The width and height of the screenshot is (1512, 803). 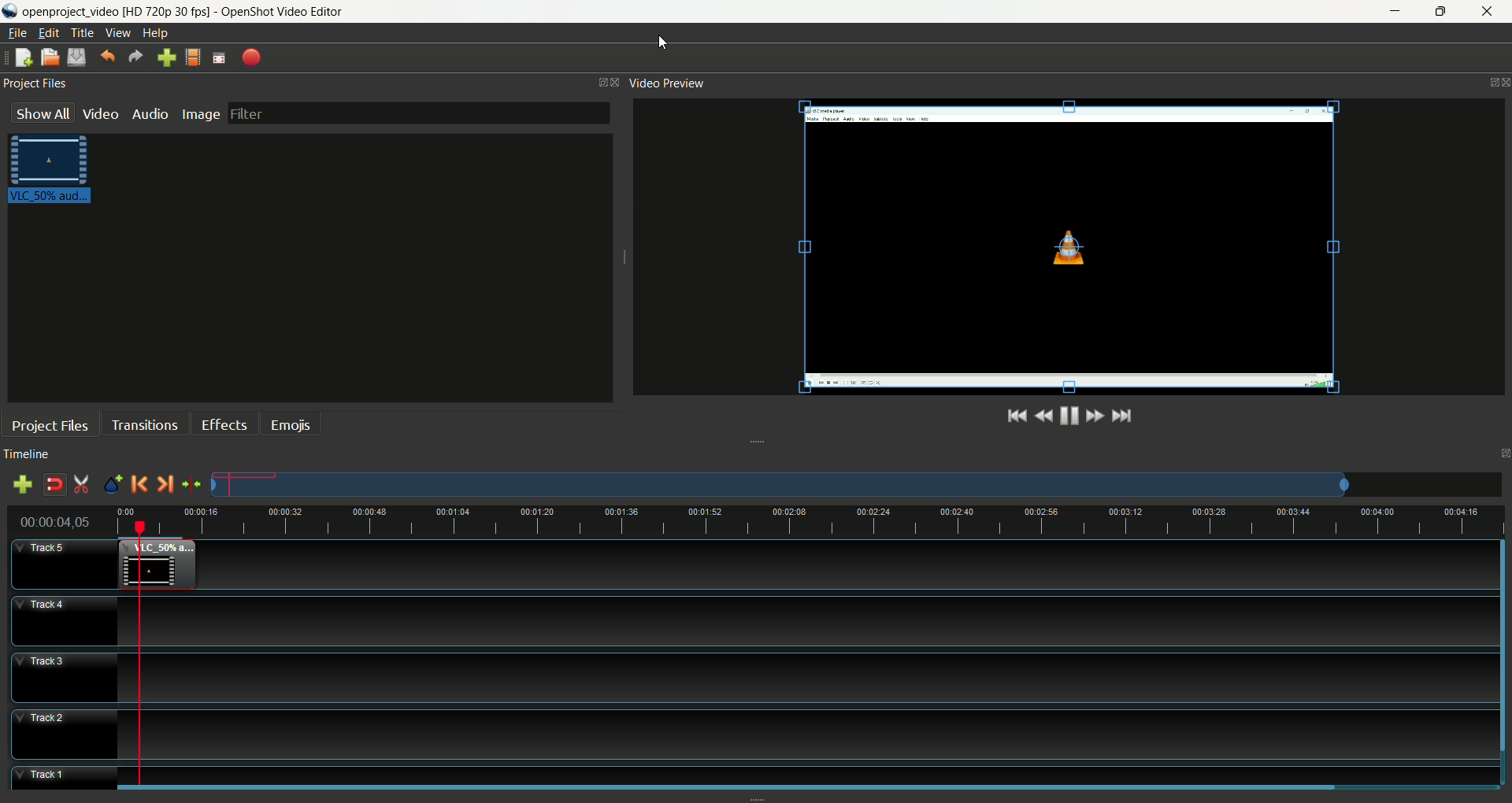 I want to click on play, so click(x=1066, y=416).